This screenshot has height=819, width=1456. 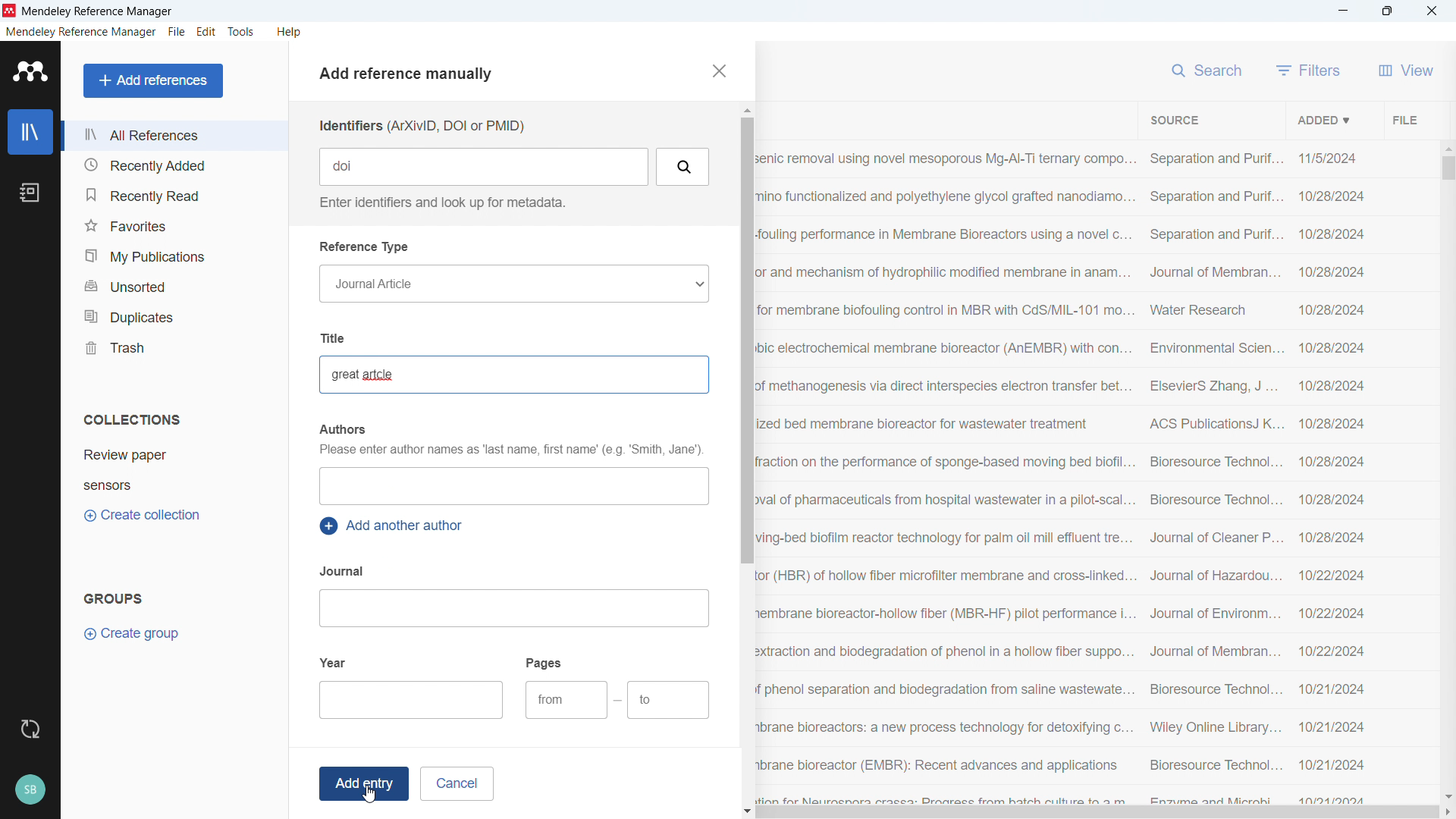 I want to click on Vertical scrollbar , so click(x=1448, y=168).